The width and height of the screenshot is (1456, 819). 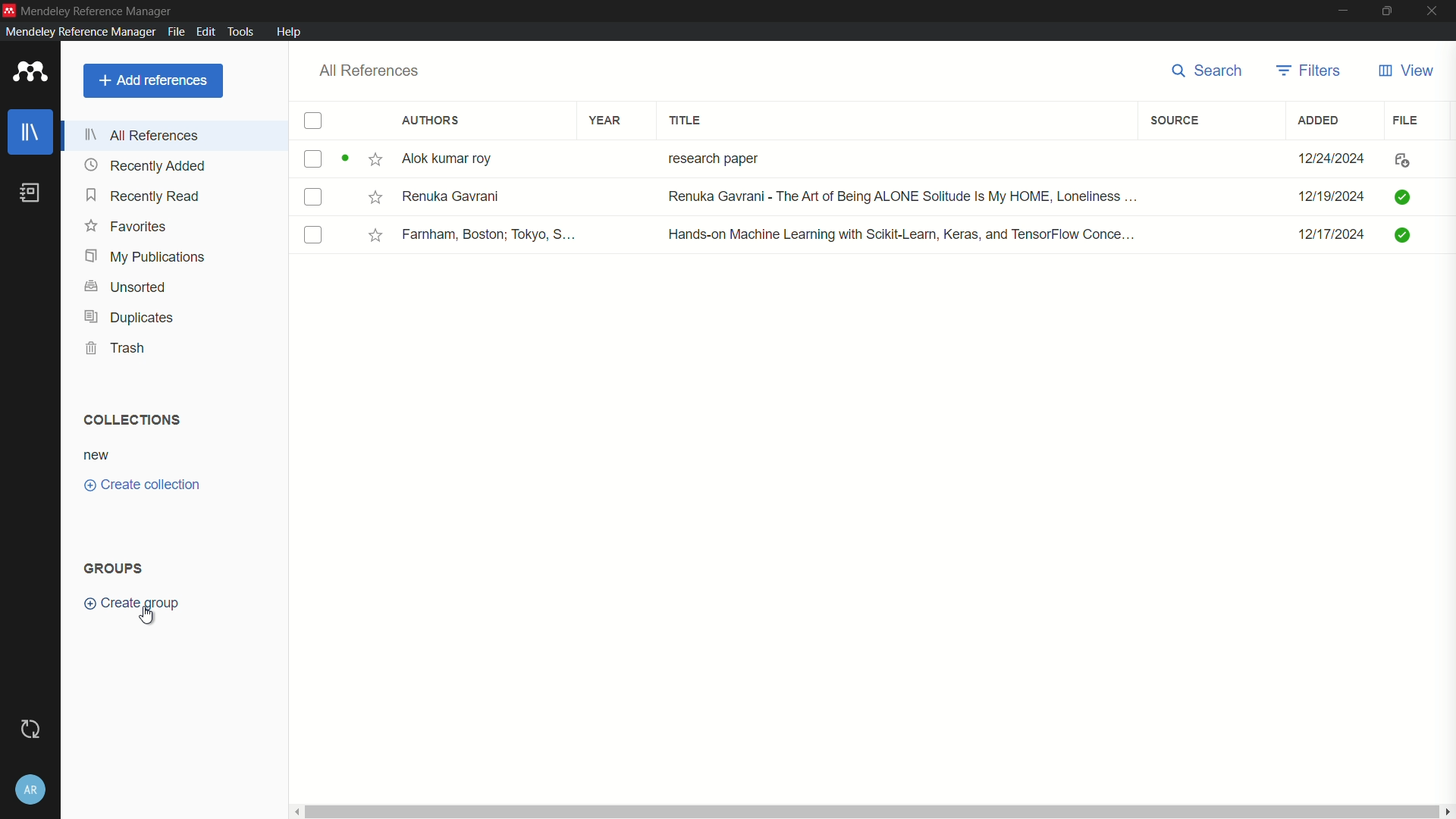 I want to click on collections, so click(x=128, y=419).